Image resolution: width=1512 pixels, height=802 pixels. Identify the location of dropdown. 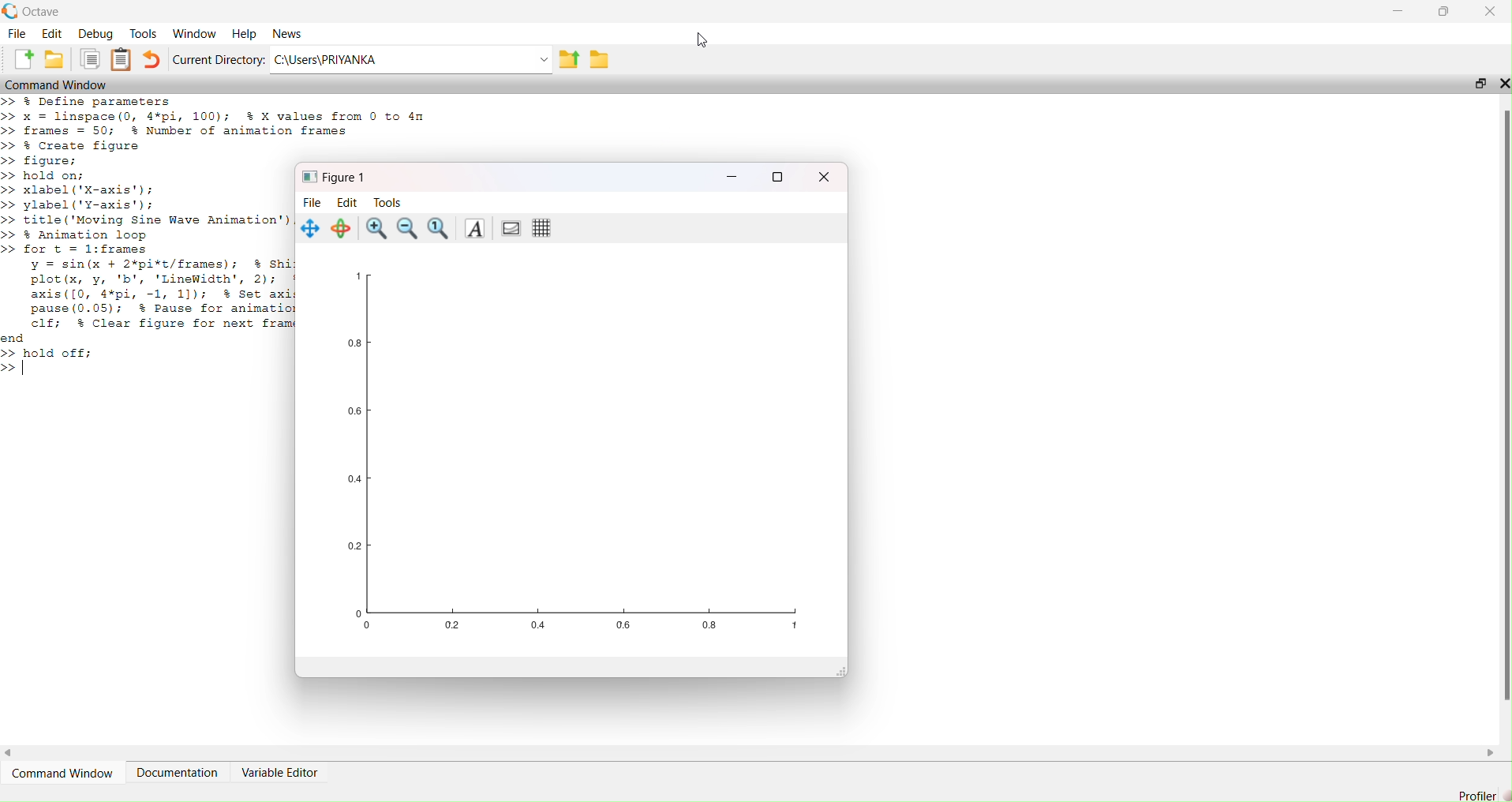
(533, 59).